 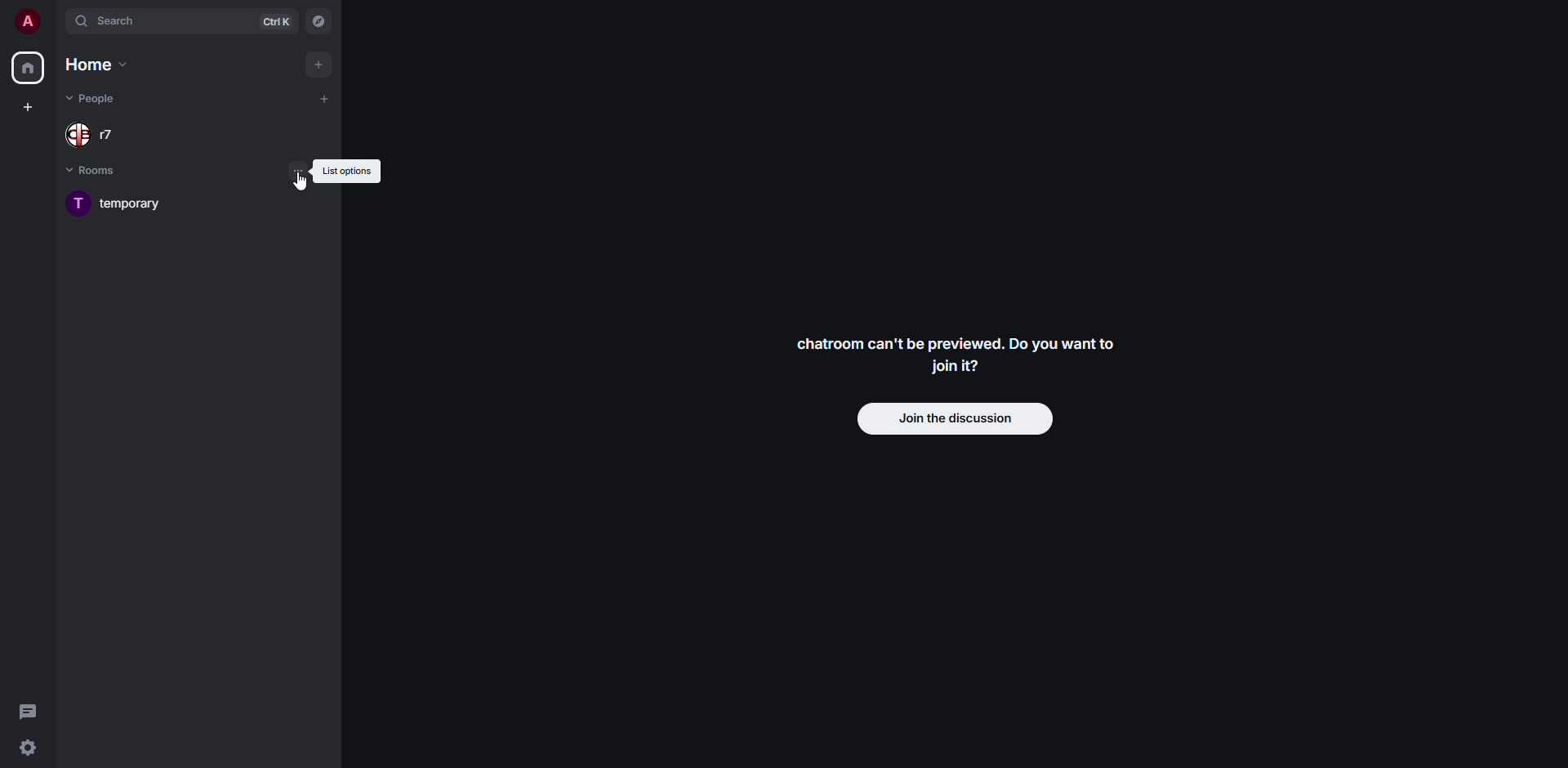 I want to click on cursor, so click(x=300, y=186).